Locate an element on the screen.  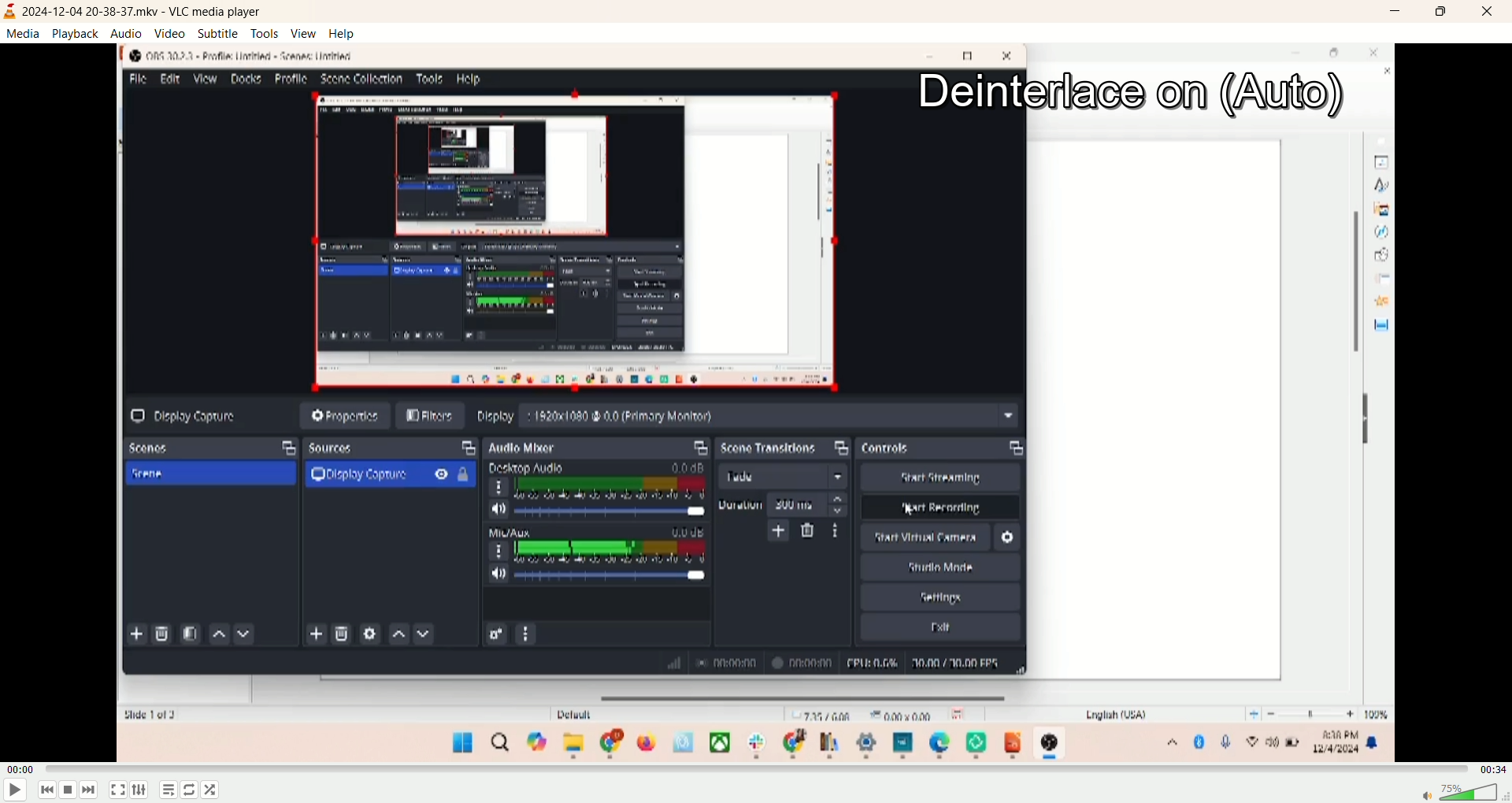
media is located at coordinates (22, 33).